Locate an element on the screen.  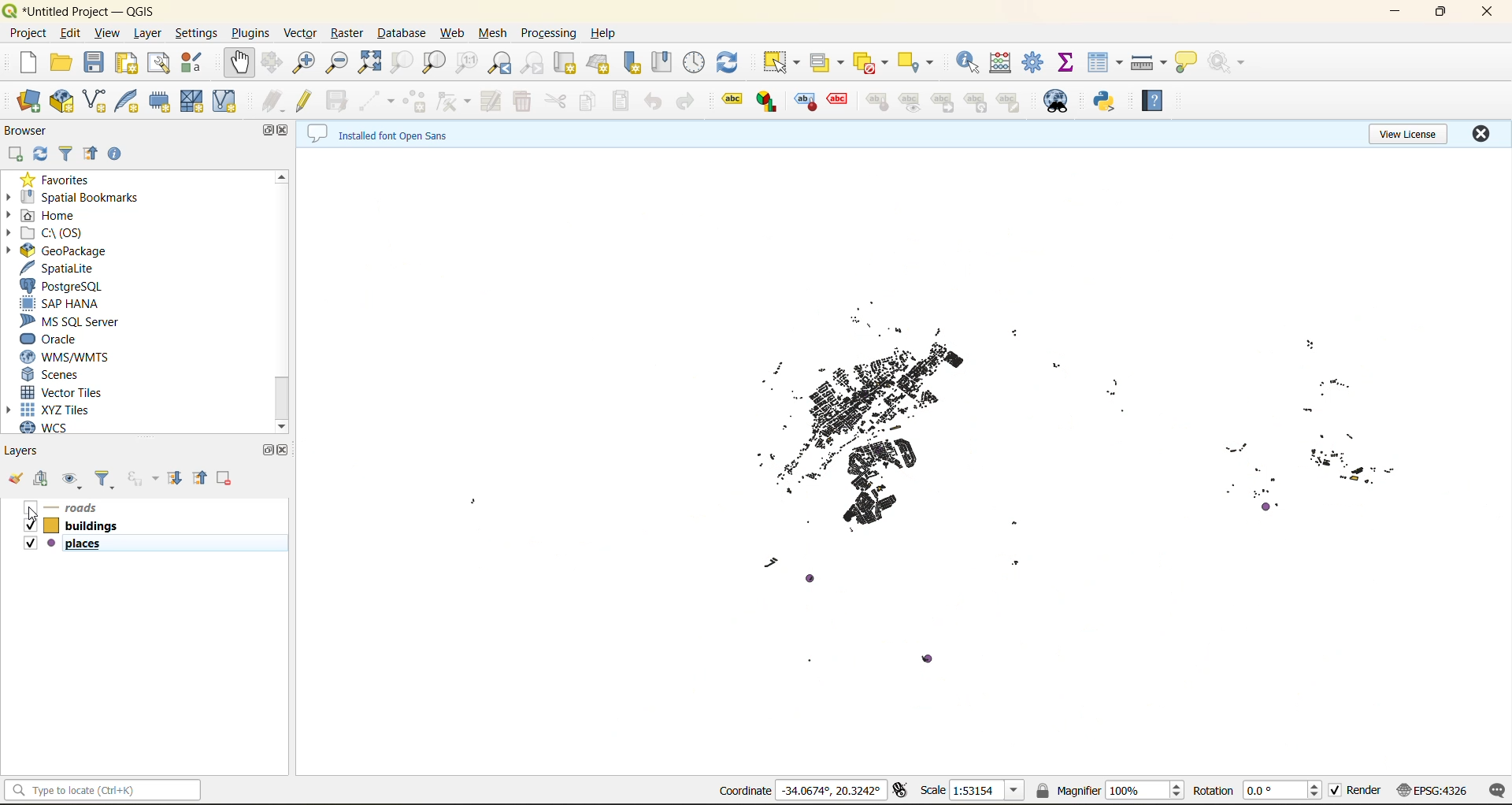
pan to selection is located at coordinates (269, 63).